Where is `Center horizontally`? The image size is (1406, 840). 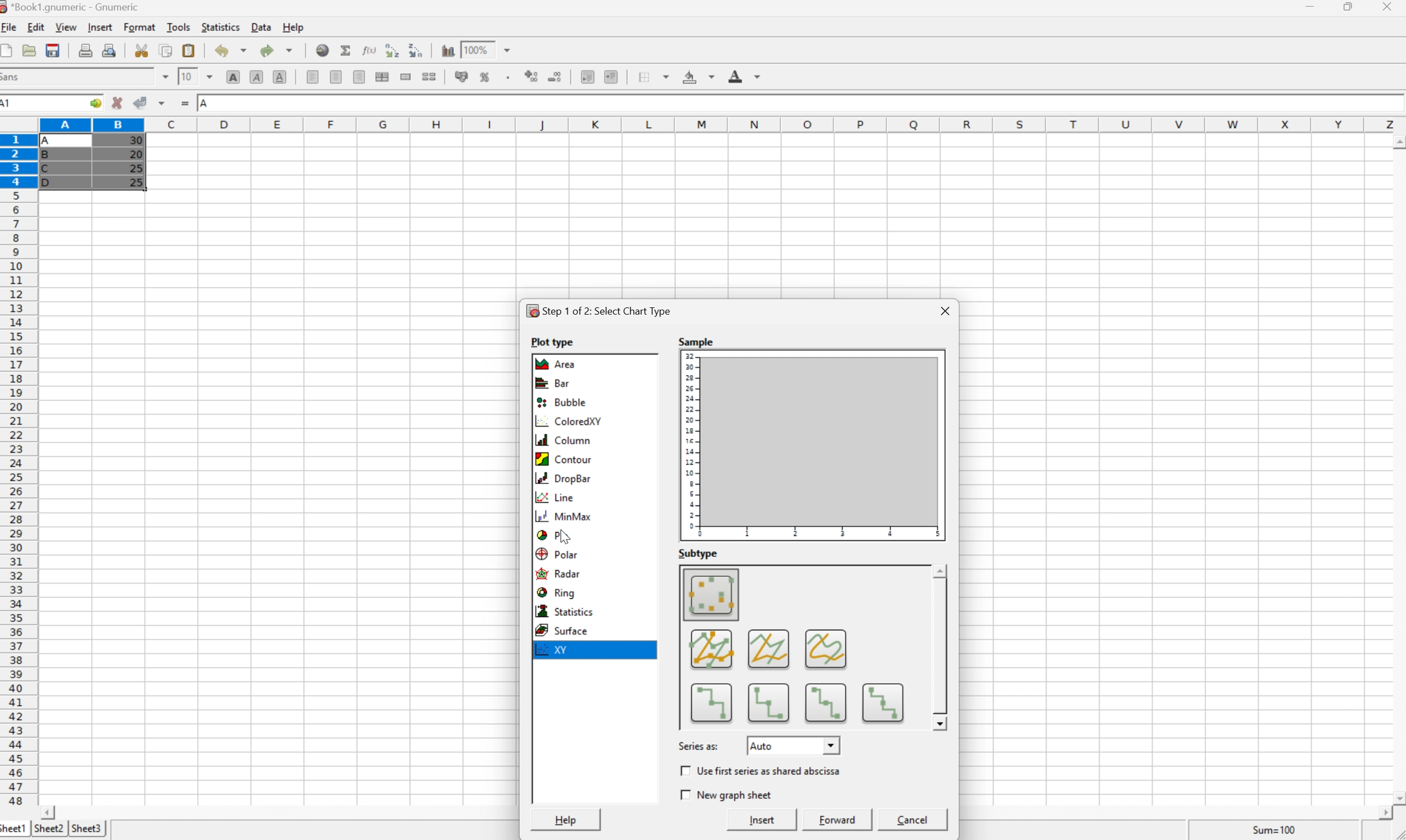 Center horizontally is located at coordinates (337, 78).